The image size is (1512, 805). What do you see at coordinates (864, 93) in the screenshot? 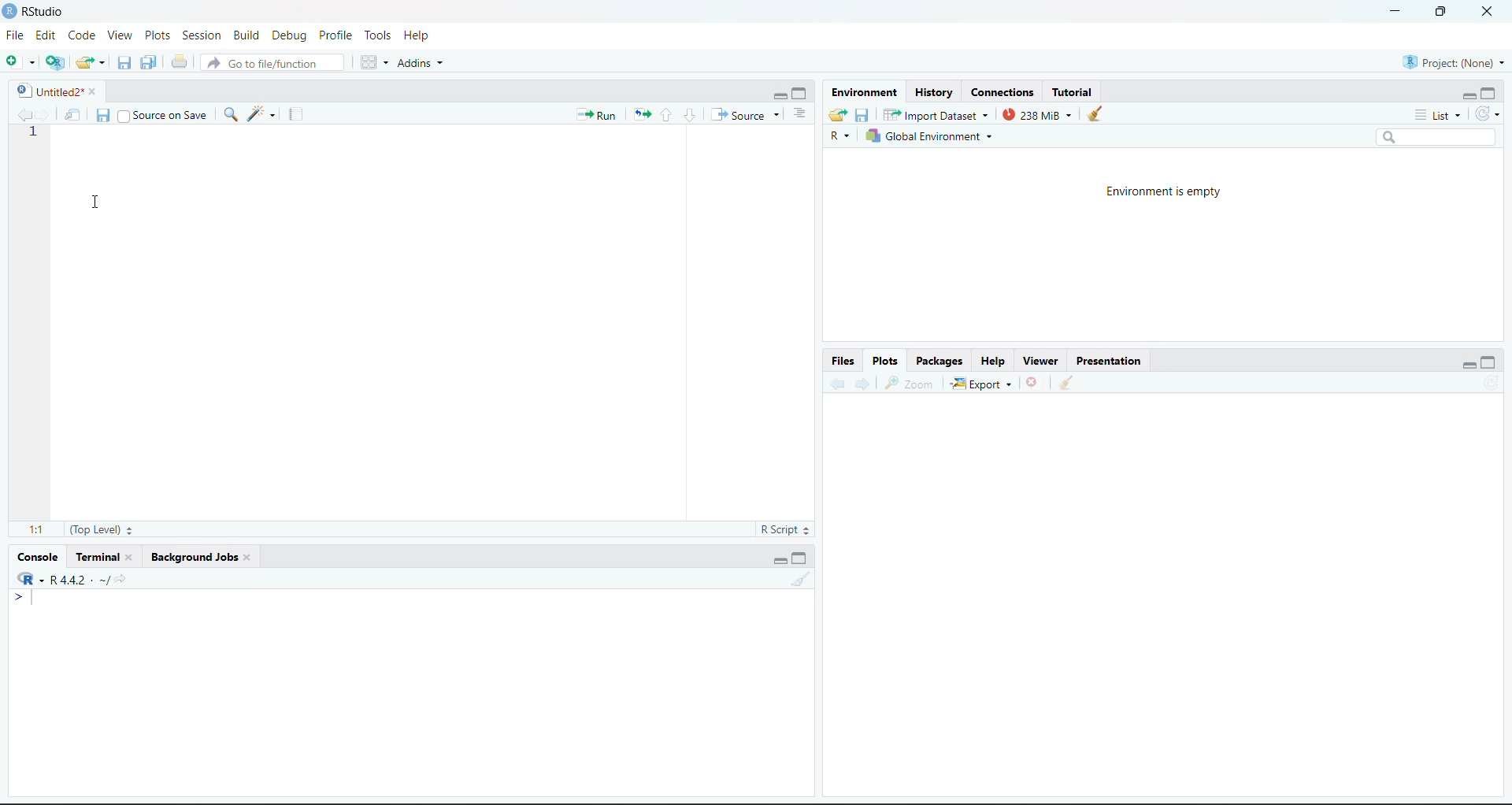
I see `Environment` at bounding box center [864, 93].